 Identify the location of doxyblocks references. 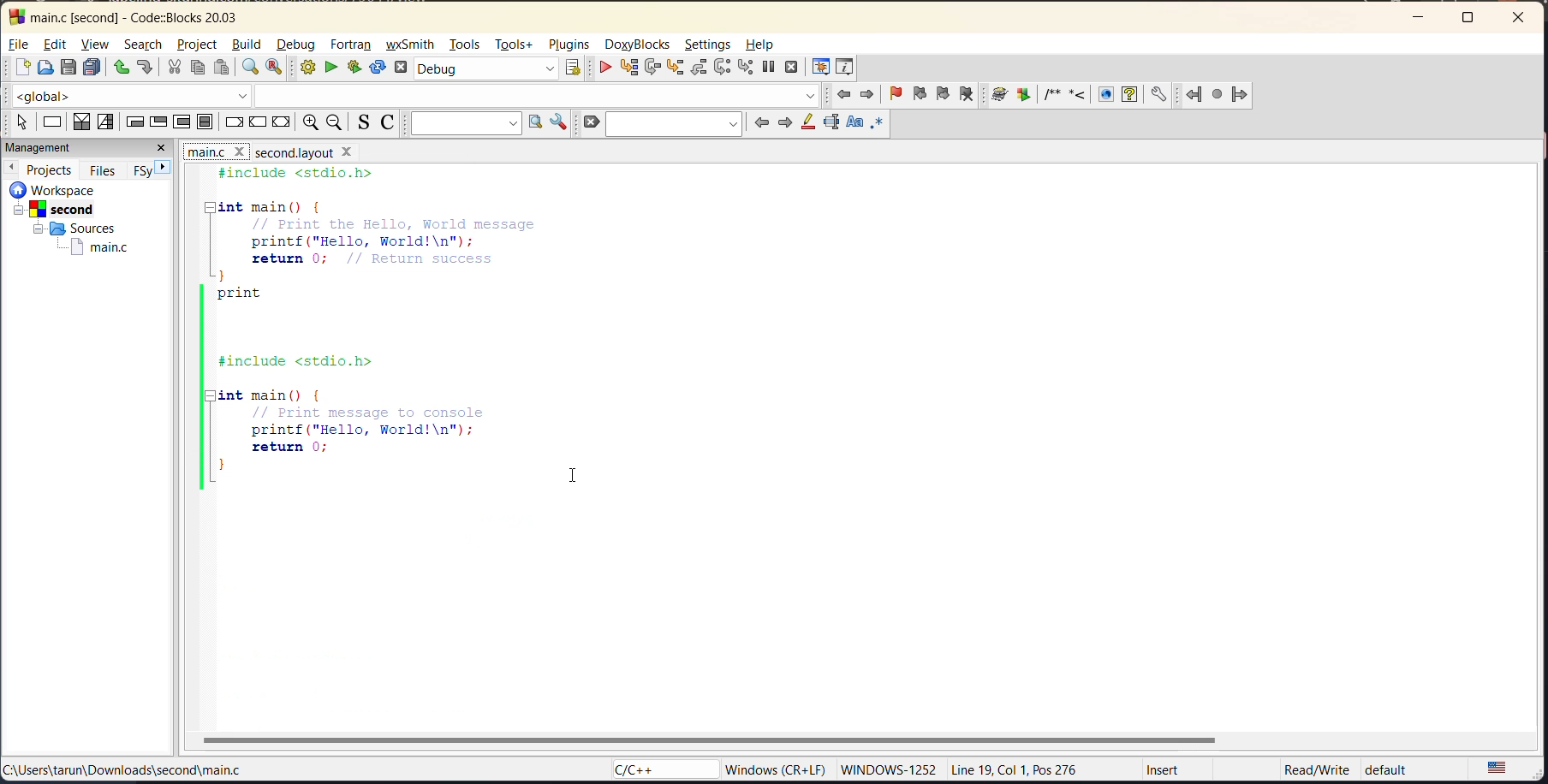
(1078, 95).